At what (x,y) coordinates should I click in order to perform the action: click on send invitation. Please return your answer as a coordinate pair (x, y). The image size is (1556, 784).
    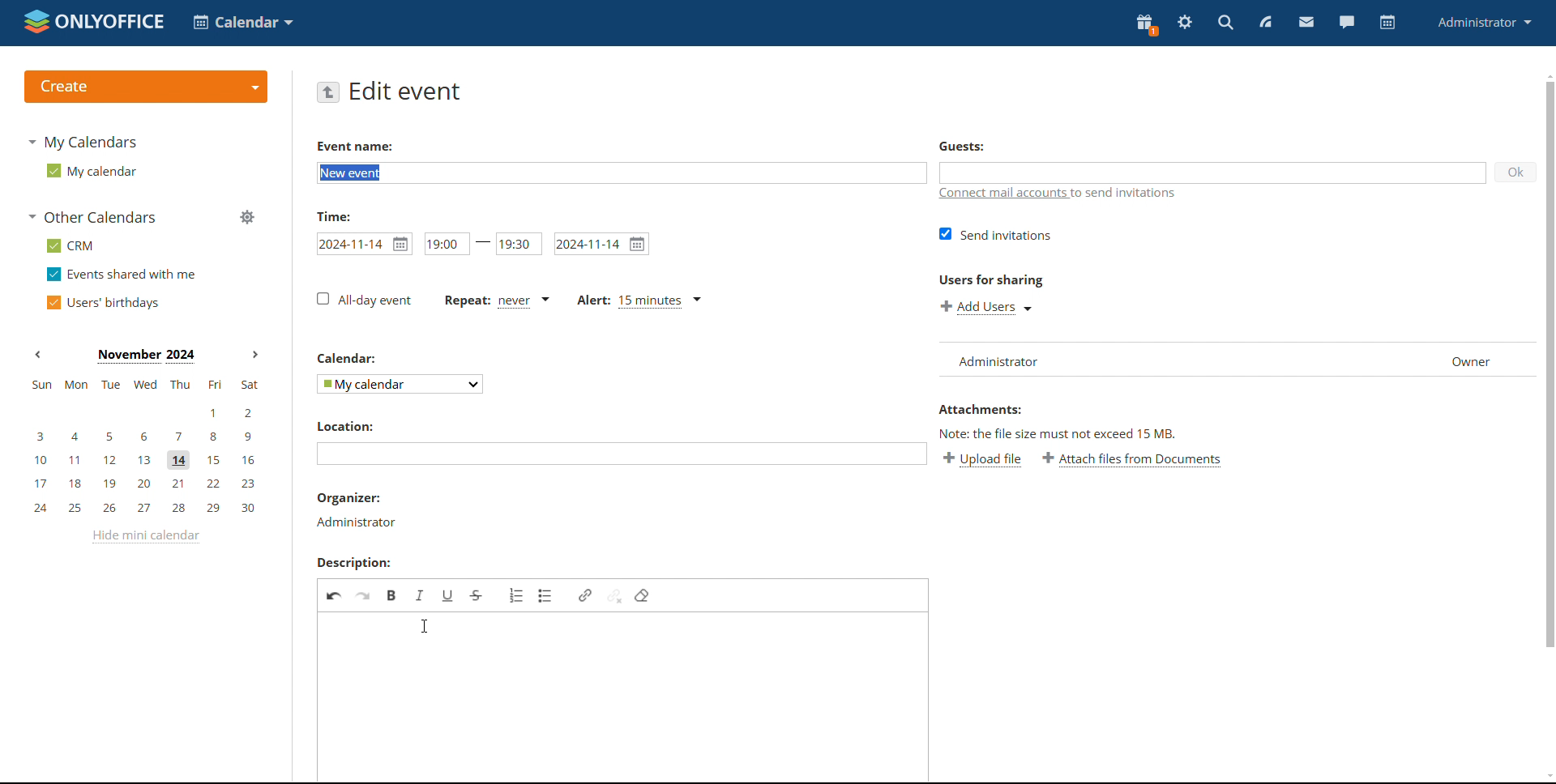
    Looking at the image, I should click on (994, 234).